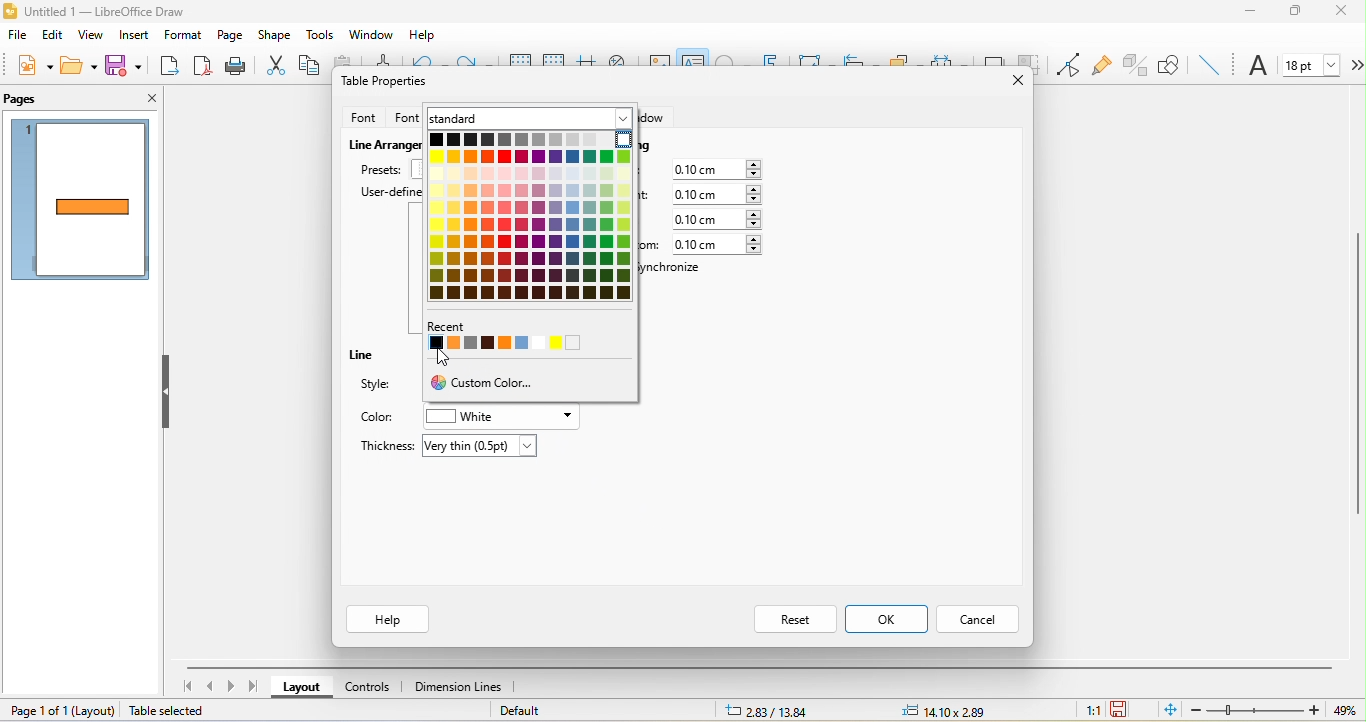 This screenshot has height=722, width=1366. I want to click on layout, so click(94, 710).